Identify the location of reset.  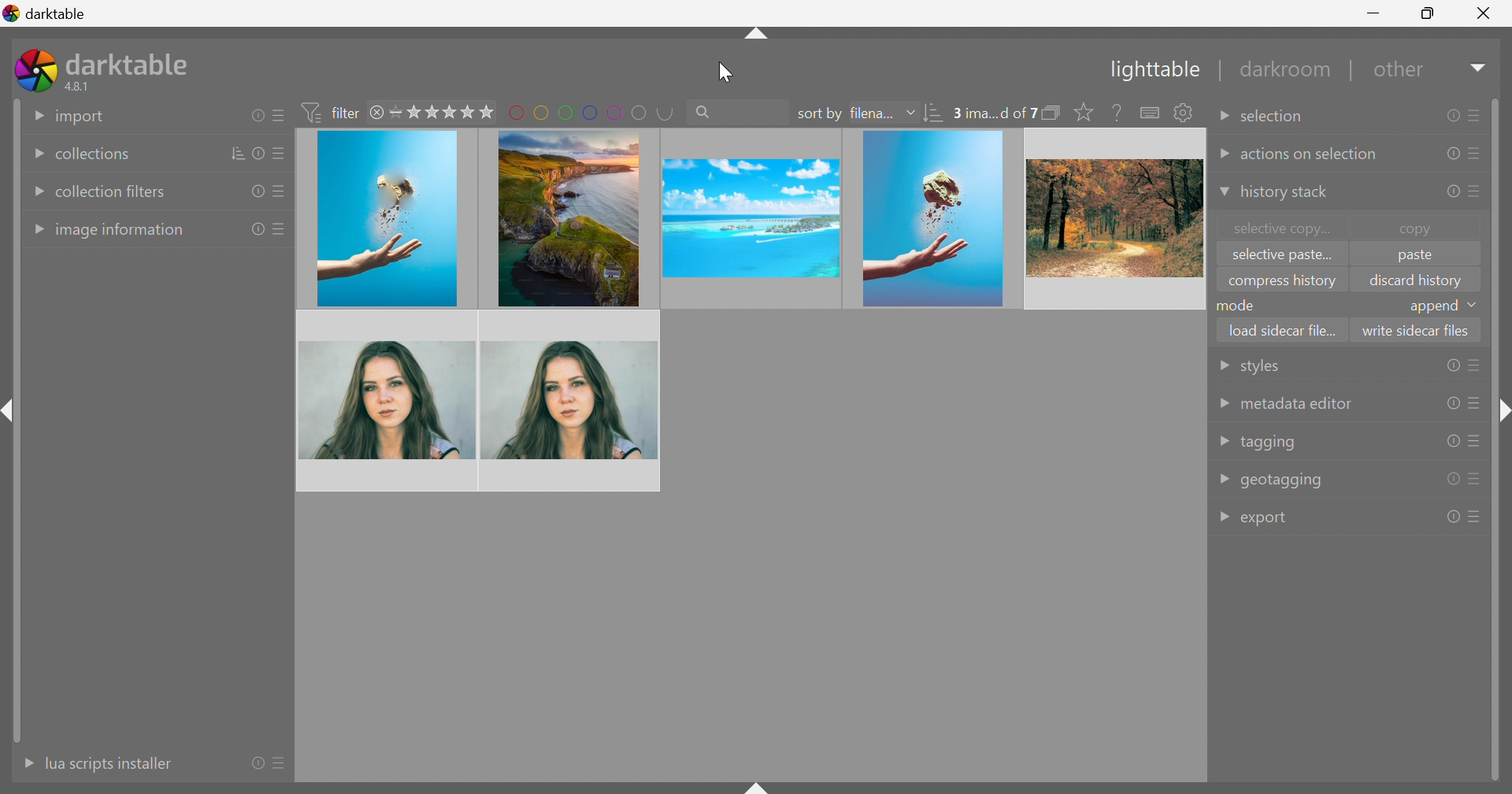
(1450, 194).